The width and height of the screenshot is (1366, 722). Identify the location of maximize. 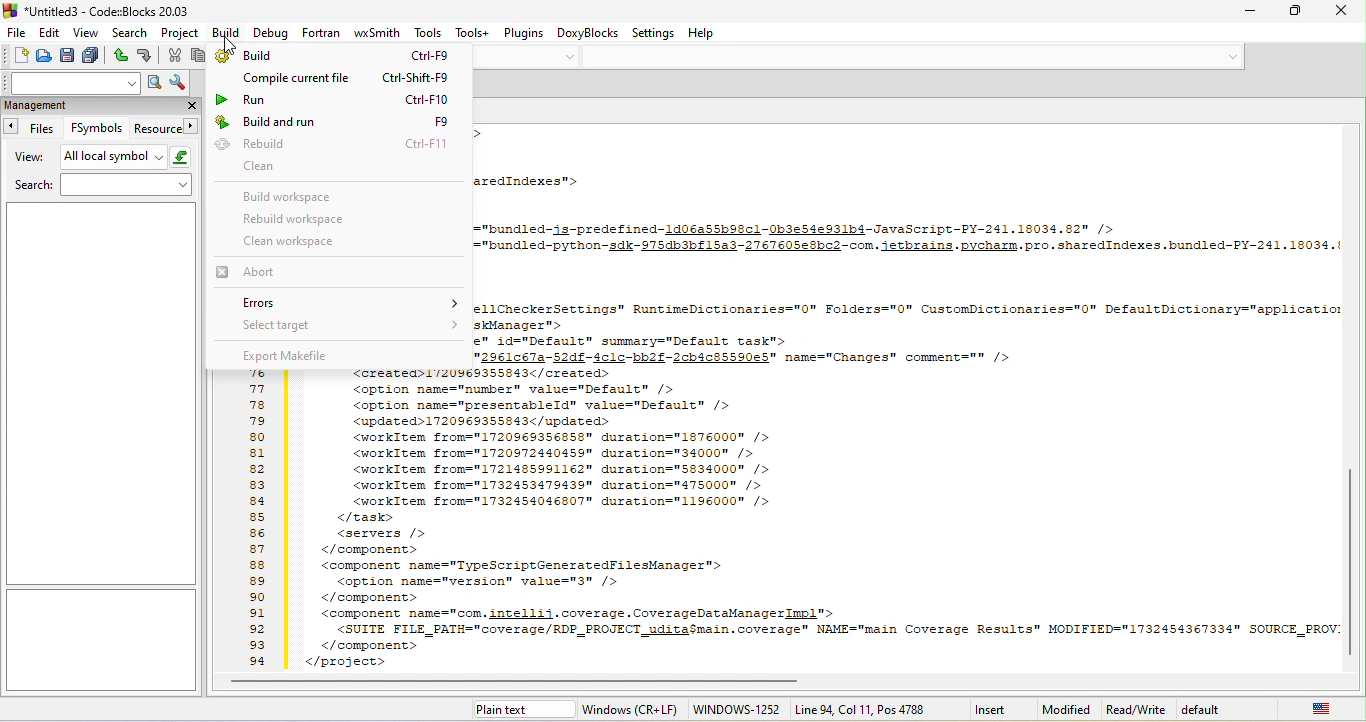
(1296, 10).